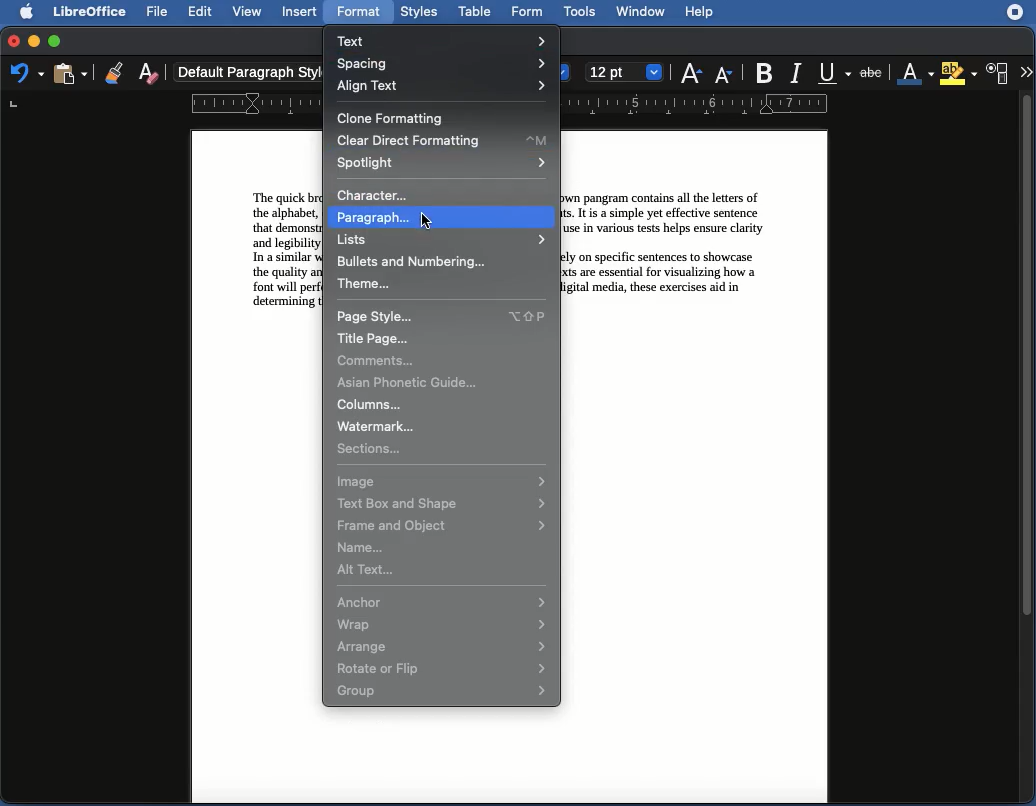 The image size is (1036, 806). I want to click on Maximize, so click(55, 42).